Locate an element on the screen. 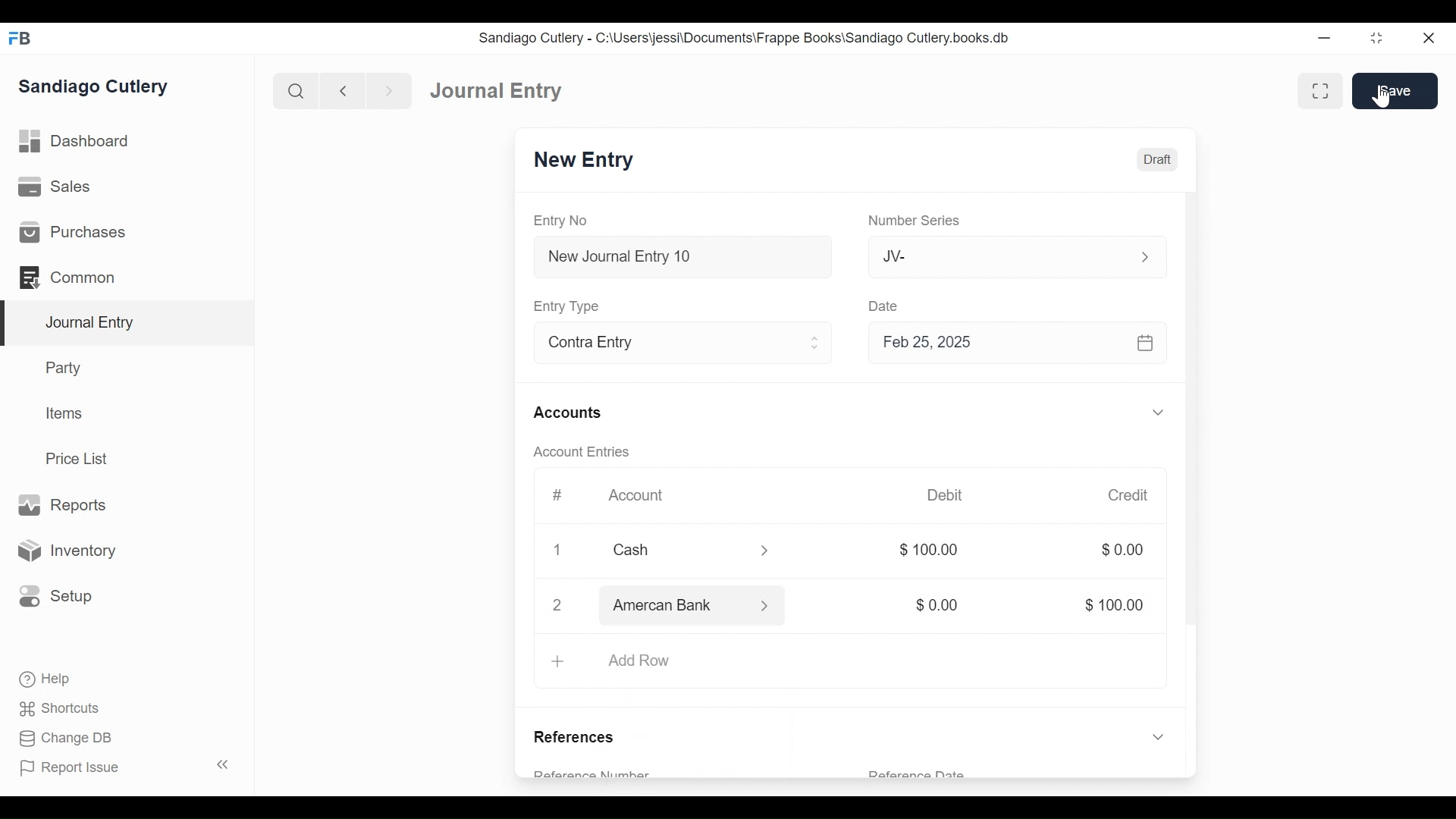 The image size is (1456, 819). Sandiago Cutlery is located at coordinates (94, 87).